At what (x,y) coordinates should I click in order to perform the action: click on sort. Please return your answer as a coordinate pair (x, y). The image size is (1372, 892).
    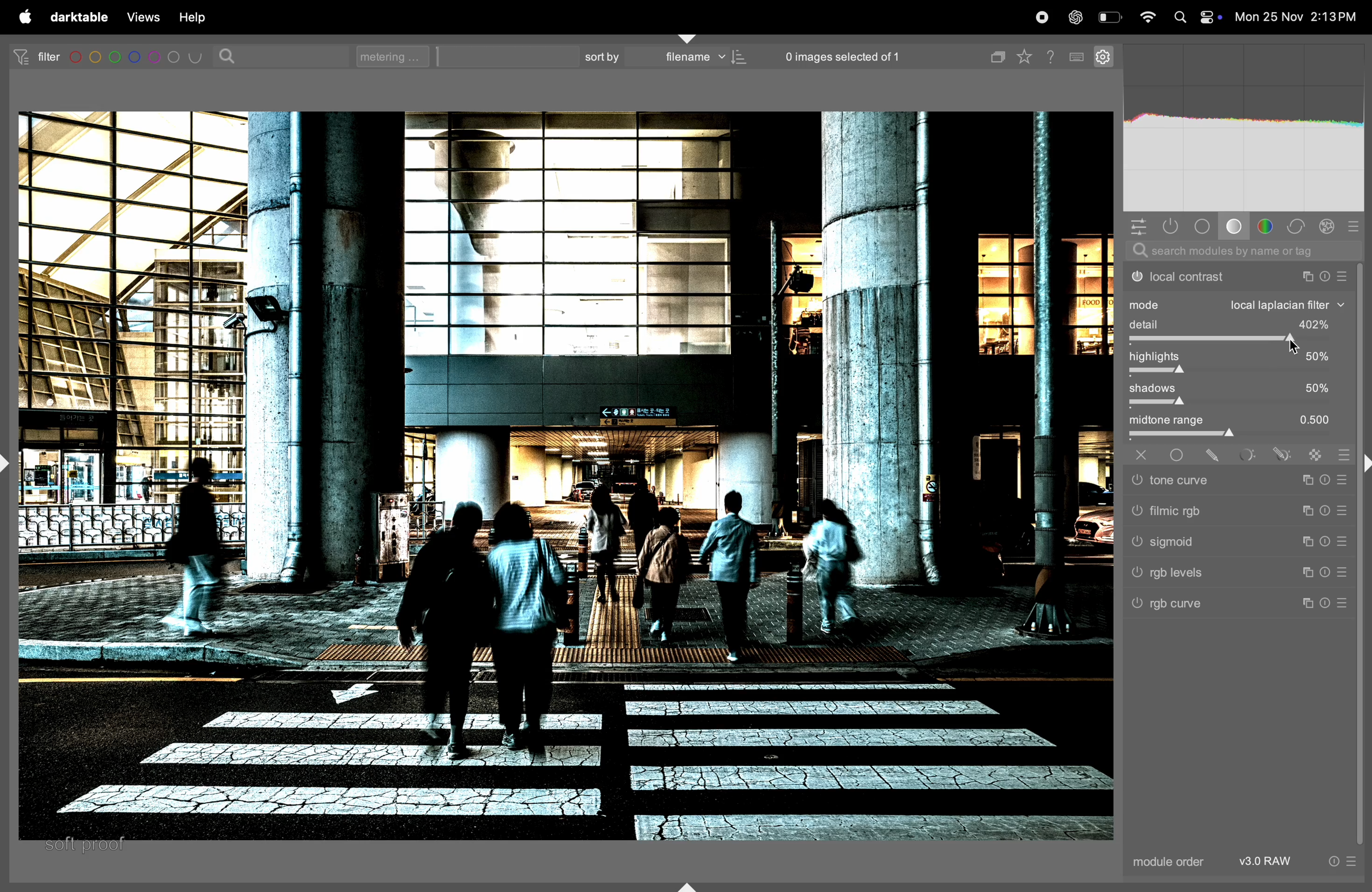
    Looking at the image, I should click on (599, 56).